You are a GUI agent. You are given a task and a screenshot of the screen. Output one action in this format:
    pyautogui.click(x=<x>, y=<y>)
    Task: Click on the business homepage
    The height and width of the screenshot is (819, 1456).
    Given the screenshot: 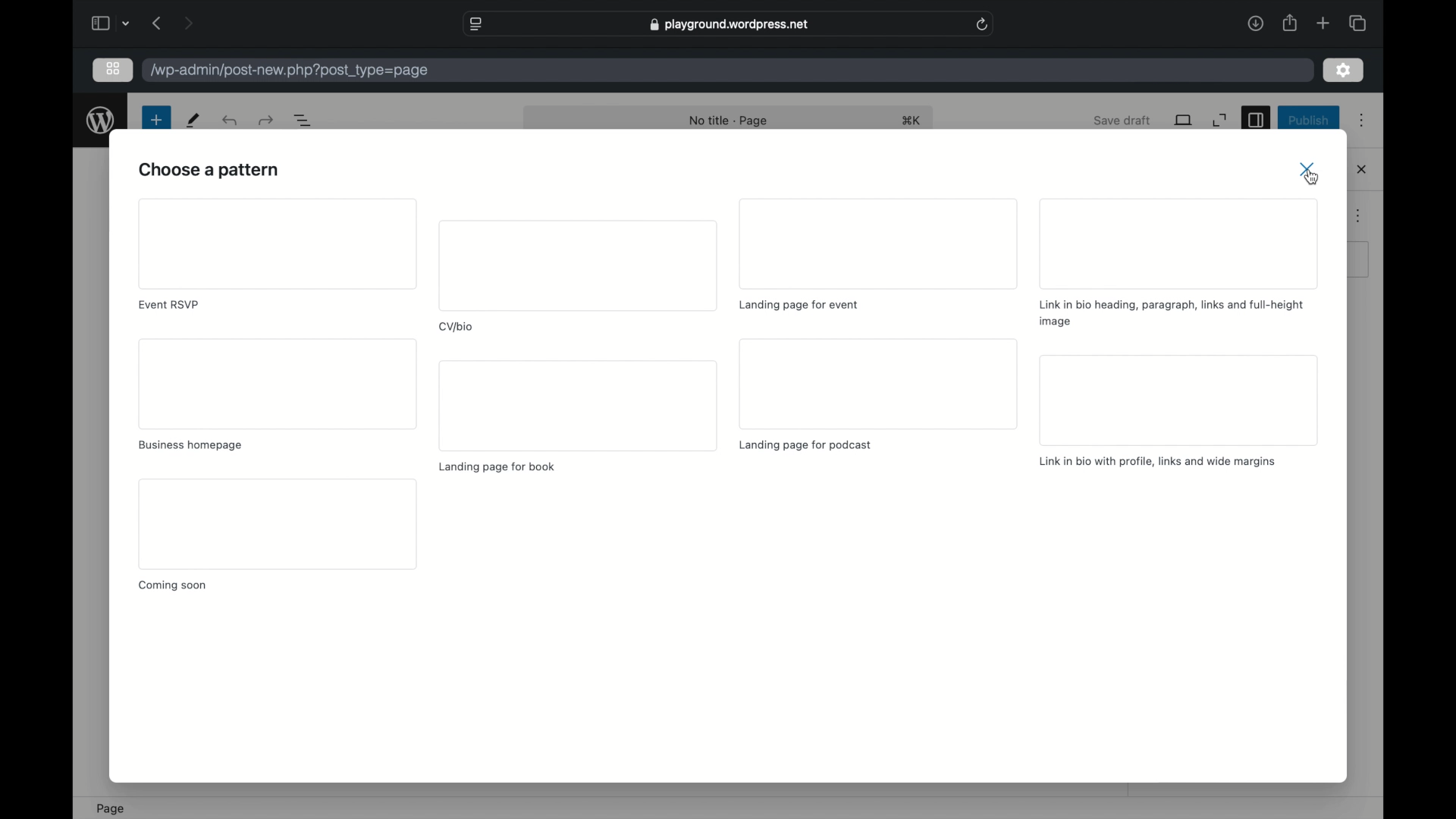 What is the action you would take?
    pyautogui.click(x=191, y=445)
    